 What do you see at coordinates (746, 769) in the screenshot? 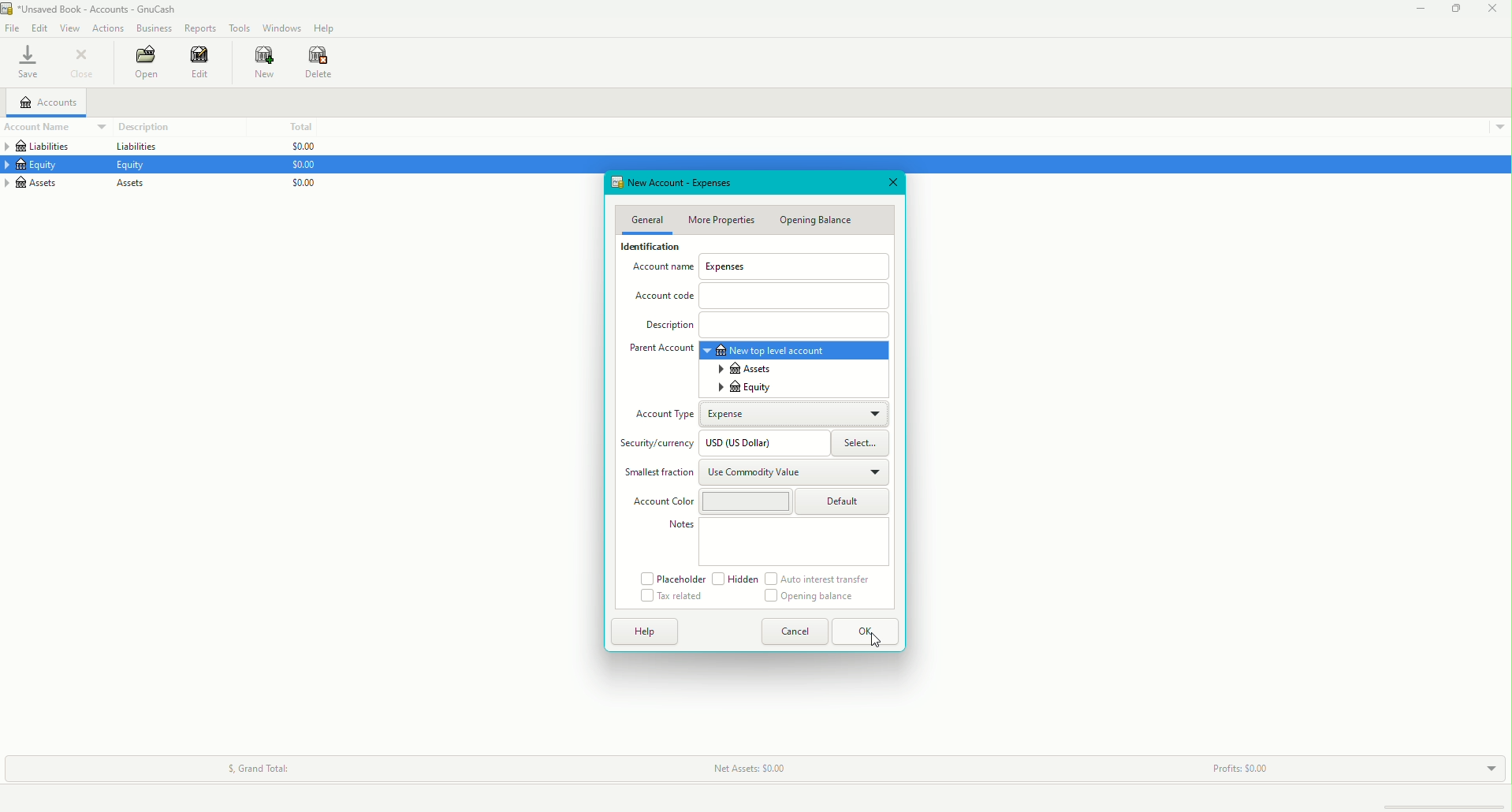
I see `Net Assets` at bounding box center [746, 769].